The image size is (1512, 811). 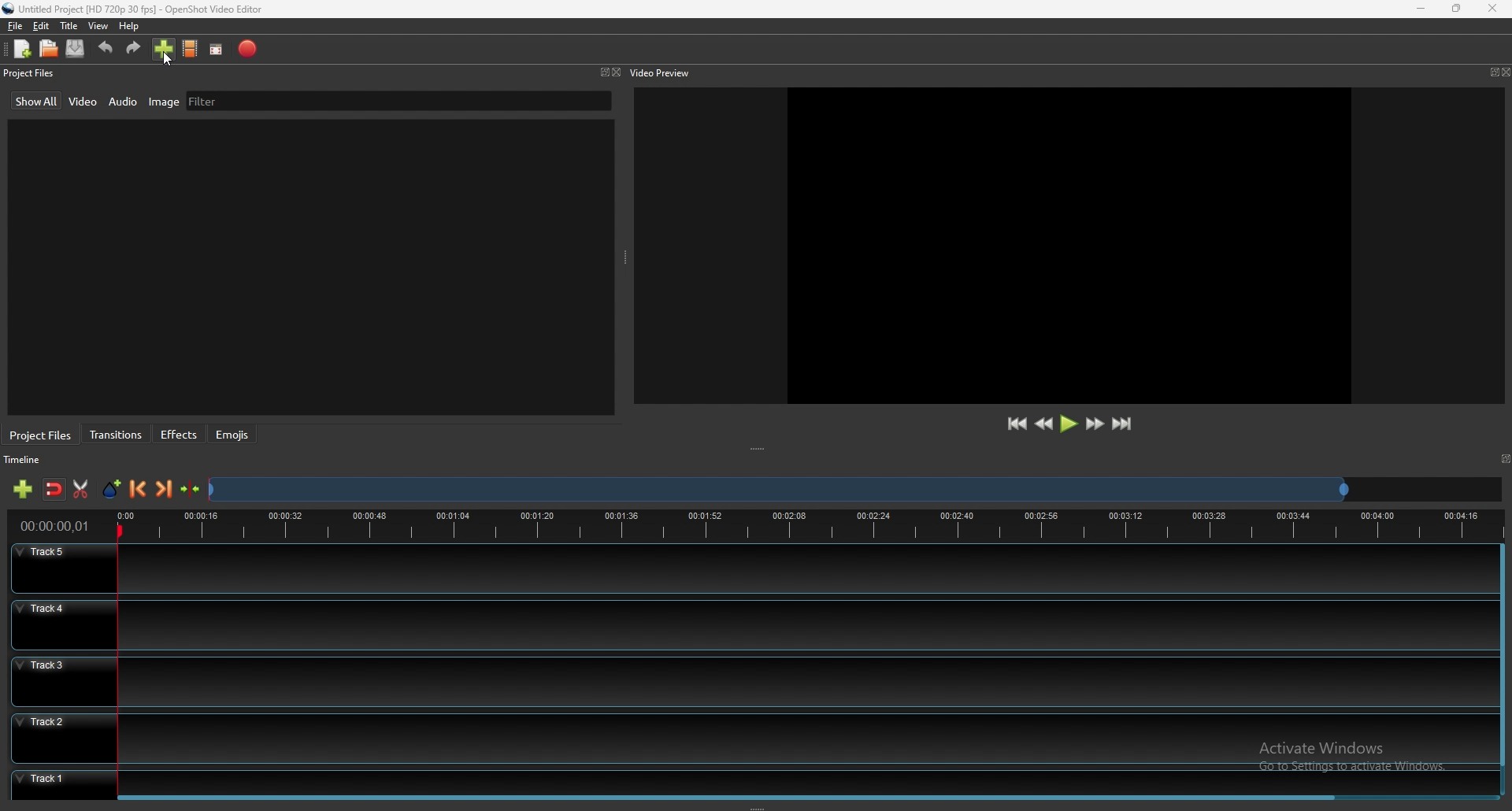 I want to click on scroll bar, so click(x=728, y=798).